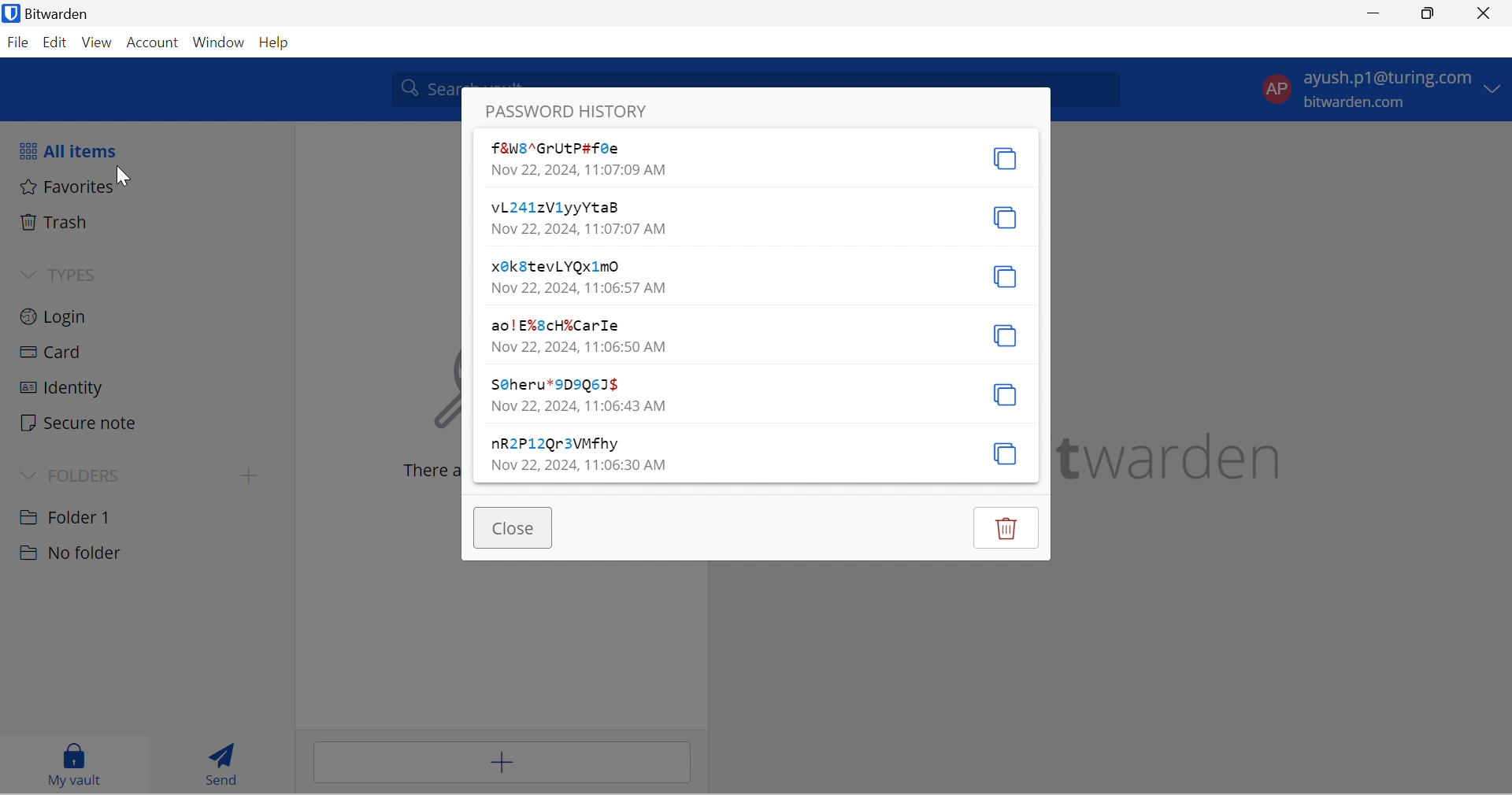 The width and height of the screenshot is (1512, 795). I want to click on All items, so click(77, 153).